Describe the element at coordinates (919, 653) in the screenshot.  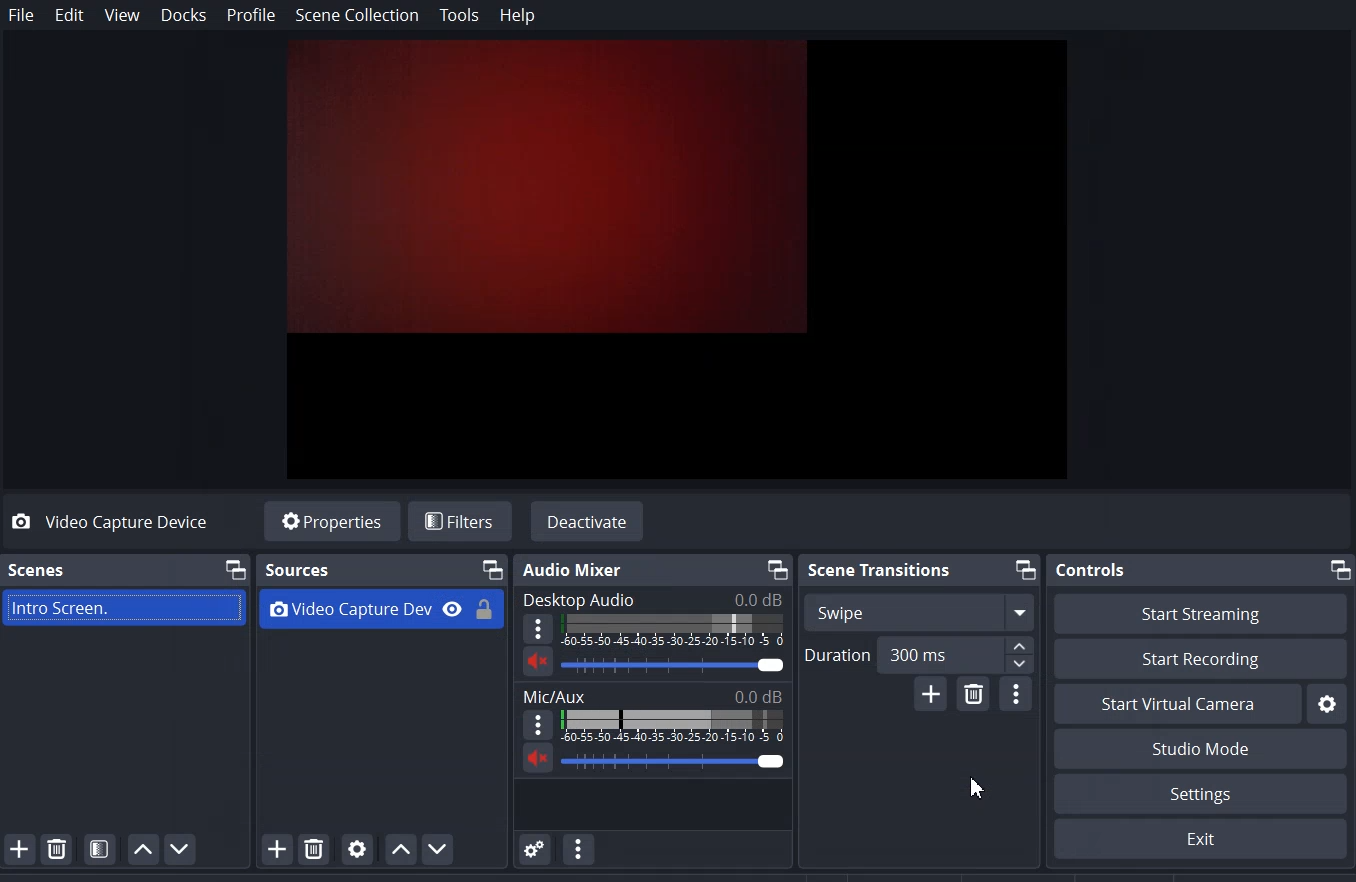
I see `Duration` at that location.